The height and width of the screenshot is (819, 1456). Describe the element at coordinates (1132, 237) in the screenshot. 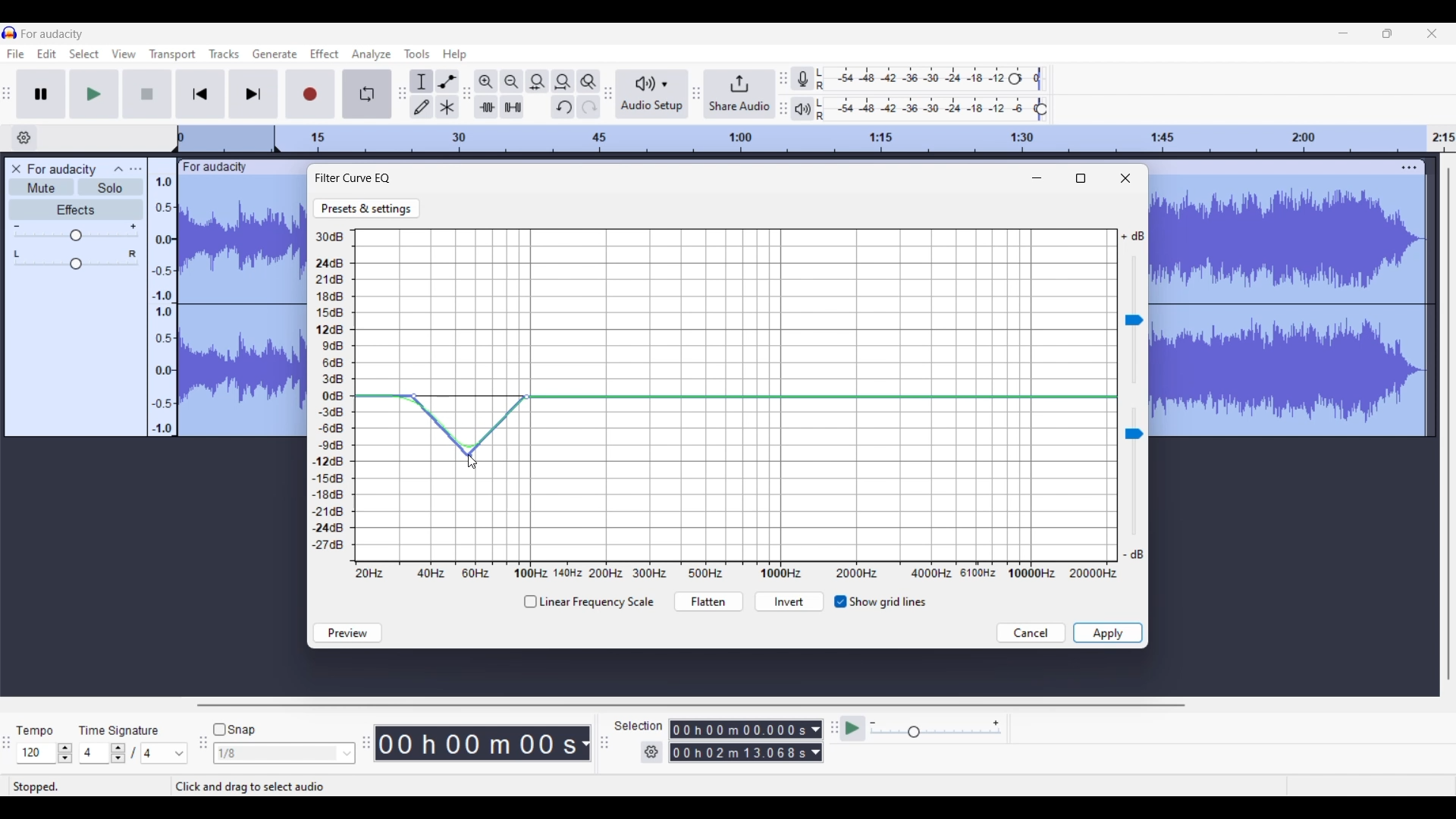

I see `Indicates max. volume` at that location.